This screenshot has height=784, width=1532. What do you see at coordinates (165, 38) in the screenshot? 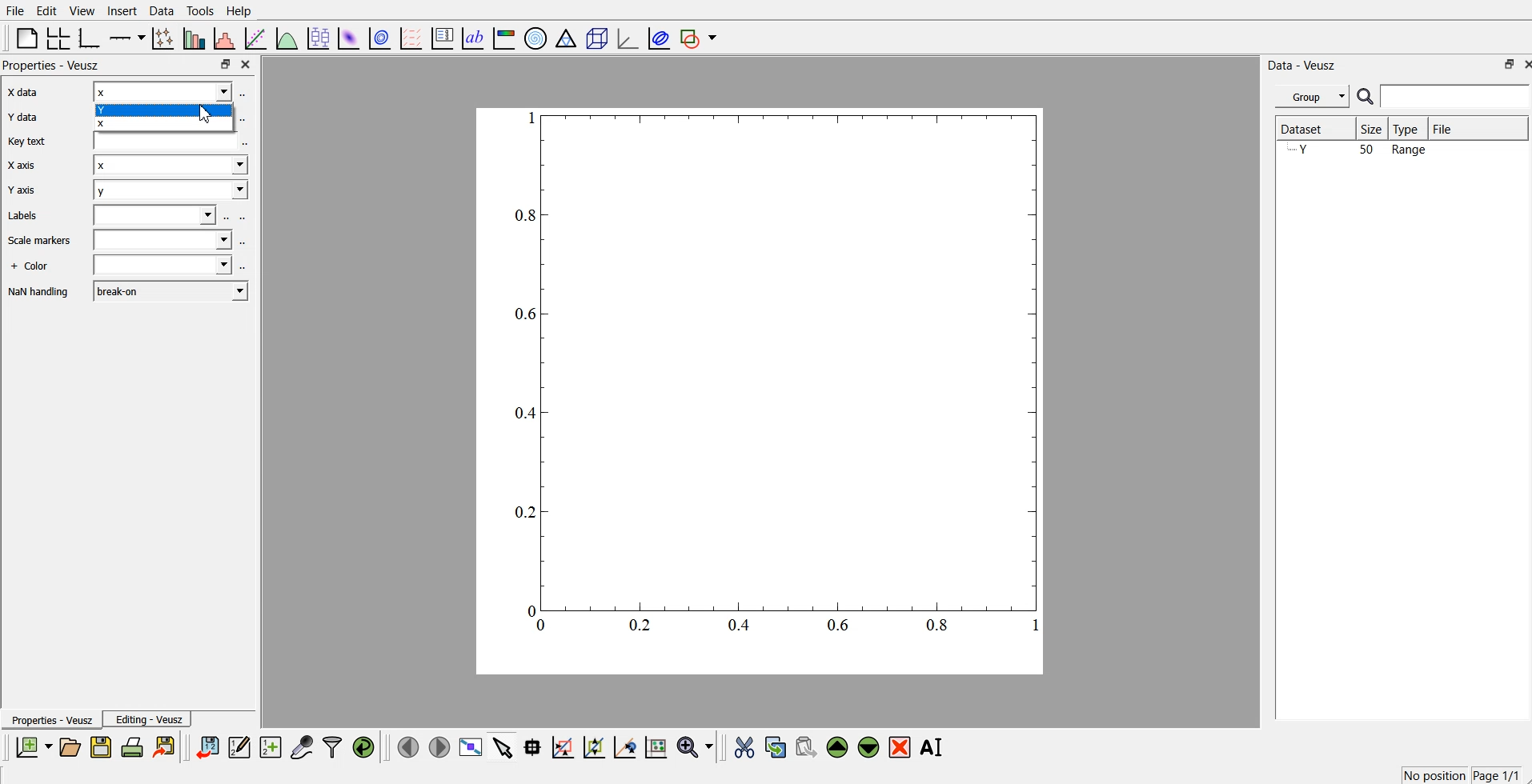
I see `lines and error bars` at bounding box center [165, 38].